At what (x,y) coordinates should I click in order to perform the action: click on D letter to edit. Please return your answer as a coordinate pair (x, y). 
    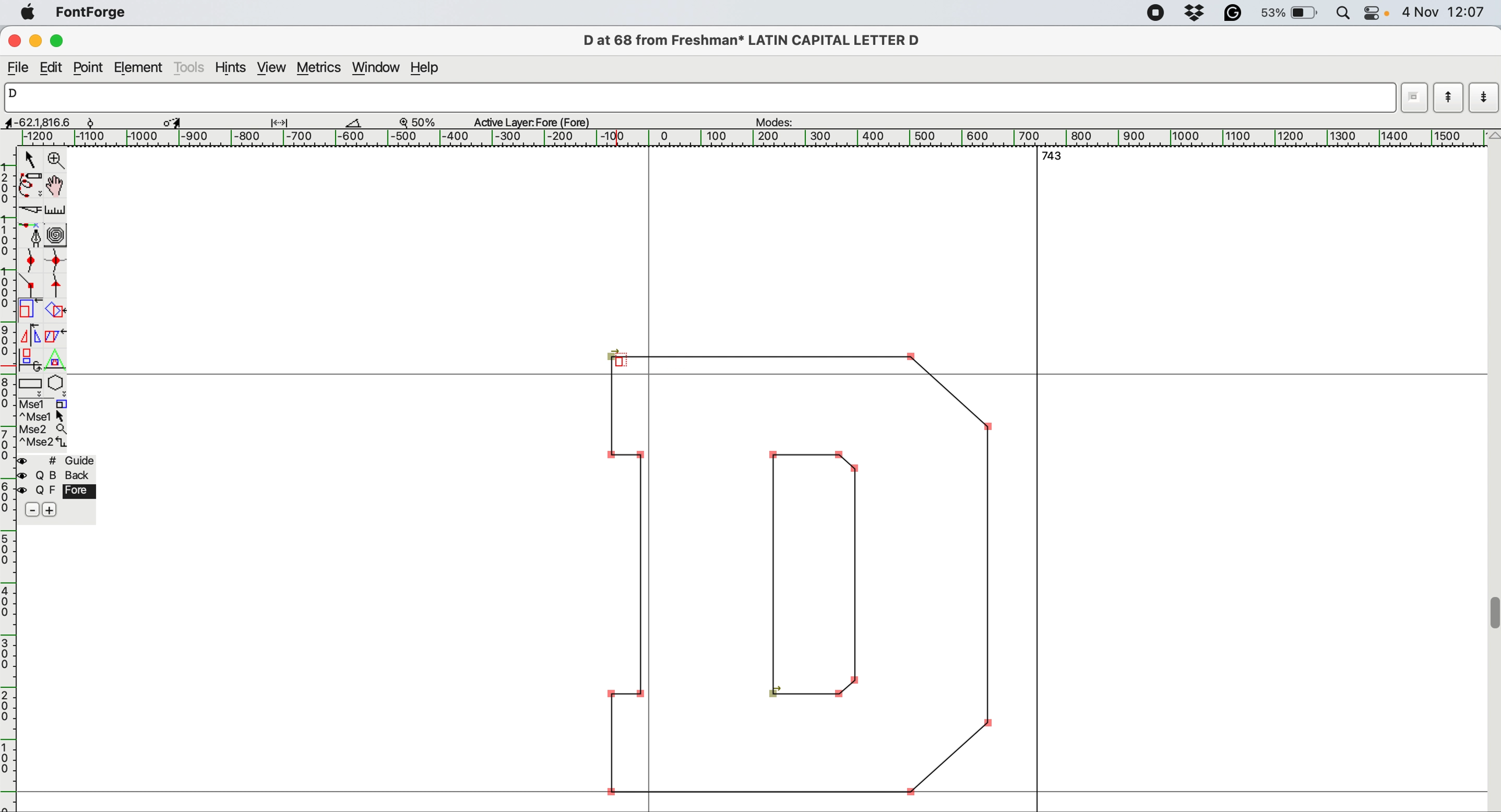
    Looking at the image, I should click on (792, 567).